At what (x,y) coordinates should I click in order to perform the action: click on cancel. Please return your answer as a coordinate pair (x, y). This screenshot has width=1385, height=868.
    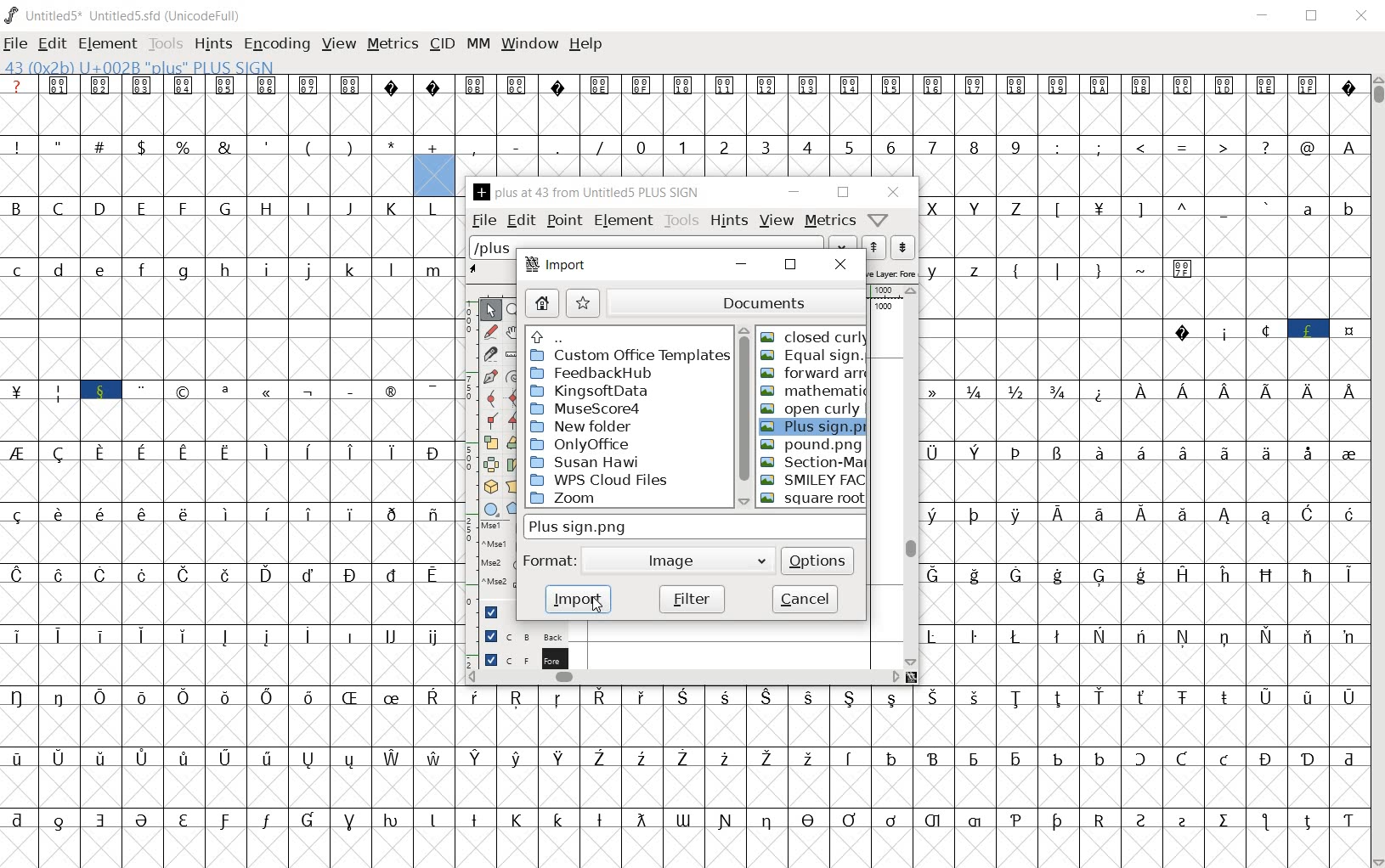
    Looking at the image, I should click on (802, 598).